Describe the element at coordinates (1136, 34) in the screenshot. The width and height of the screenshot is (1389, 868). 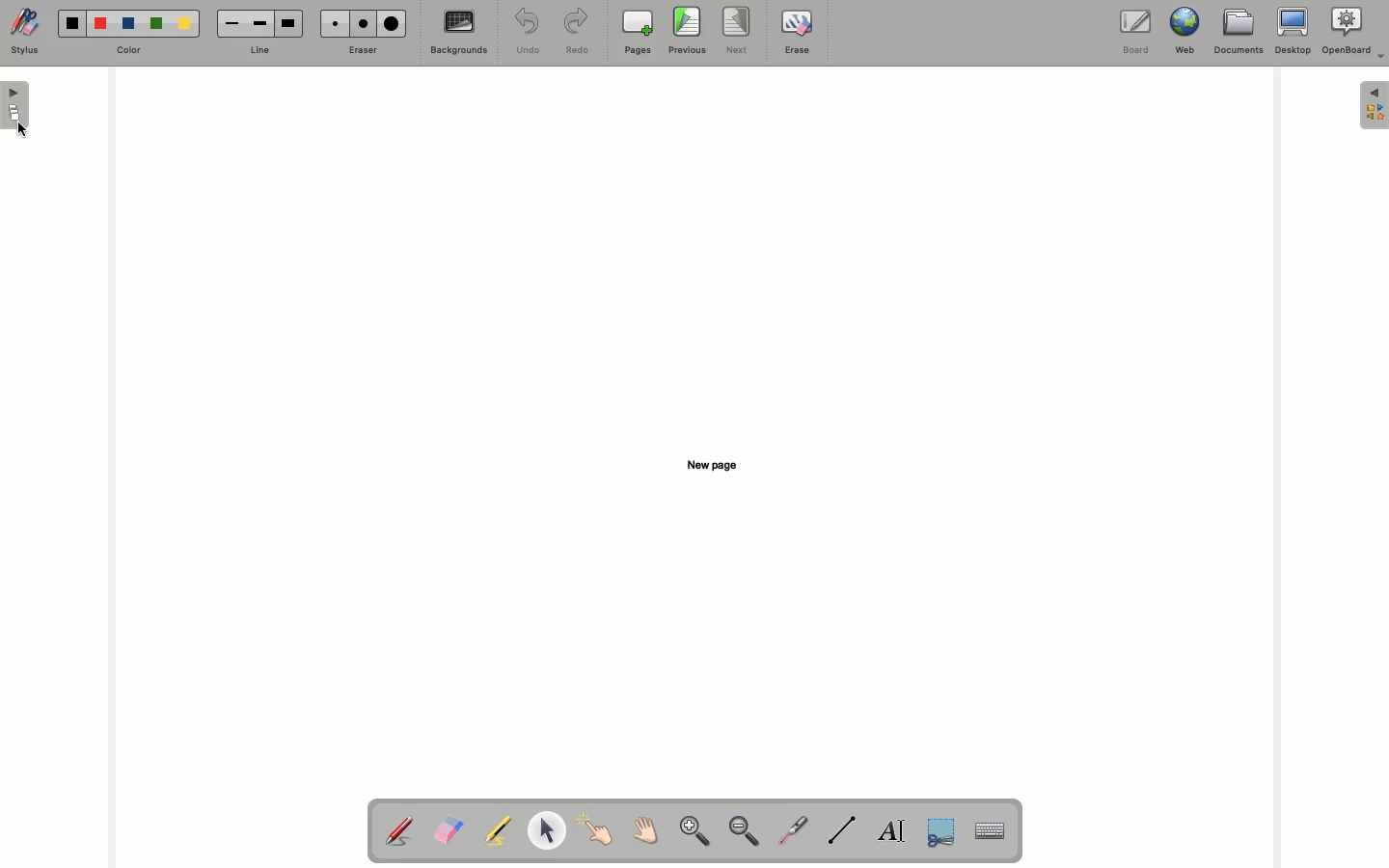
I see `Board` at that location.